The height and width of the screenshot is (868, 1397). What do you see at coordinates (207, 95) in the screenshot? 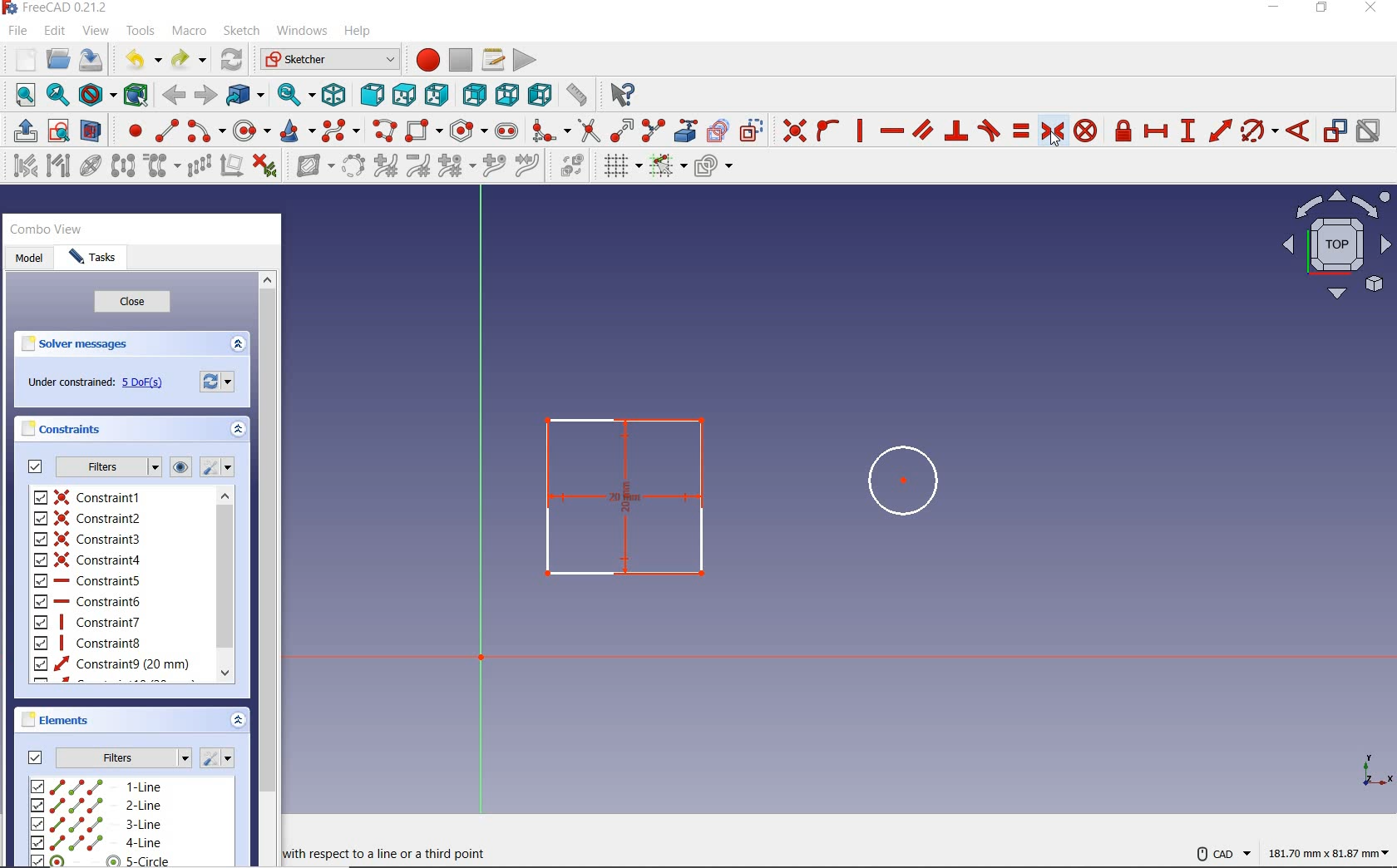
I see `forward` at bounding box center [207, 95].